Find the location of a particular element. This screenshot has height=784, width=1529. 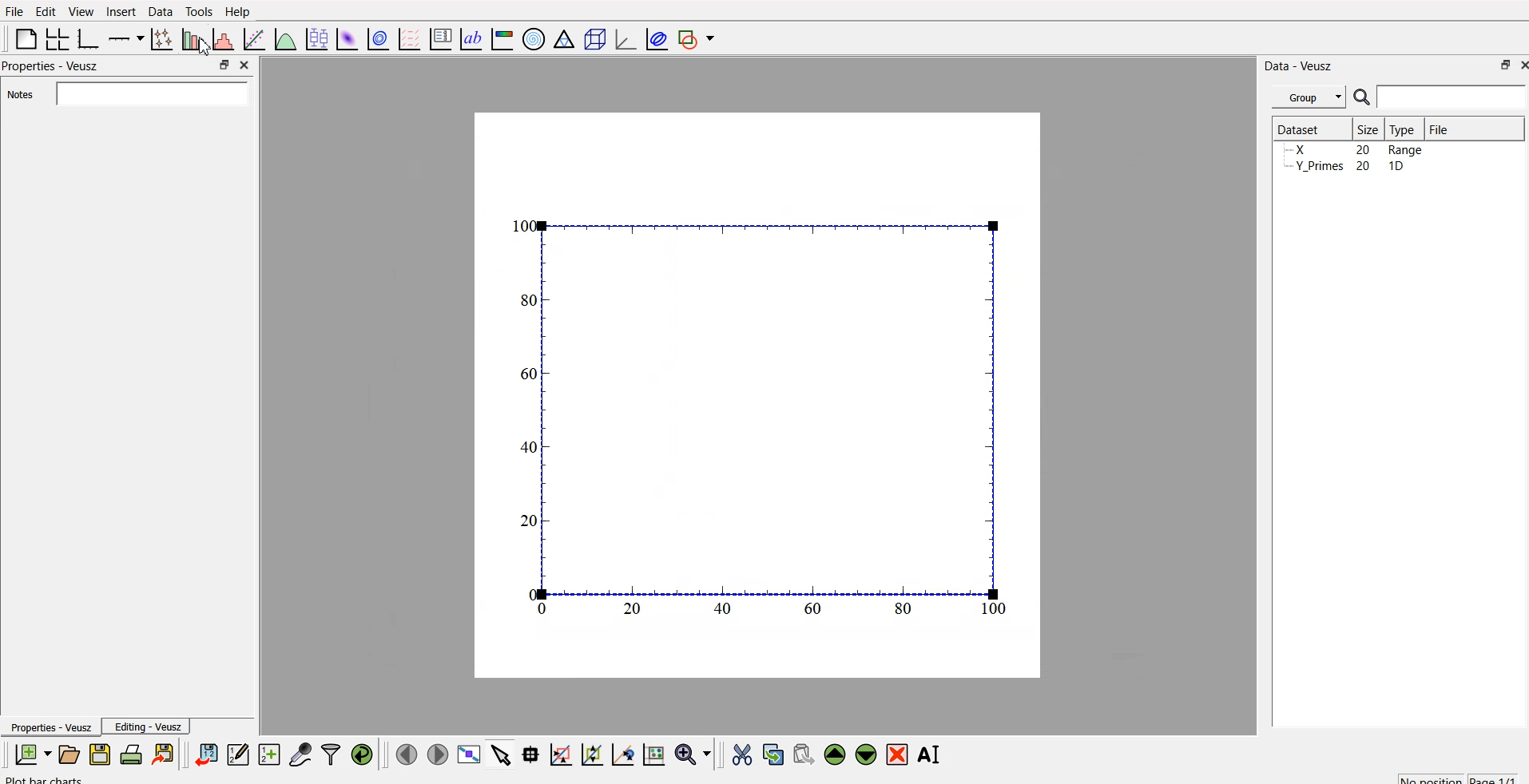

open a document is located at coordinates (68, 754).